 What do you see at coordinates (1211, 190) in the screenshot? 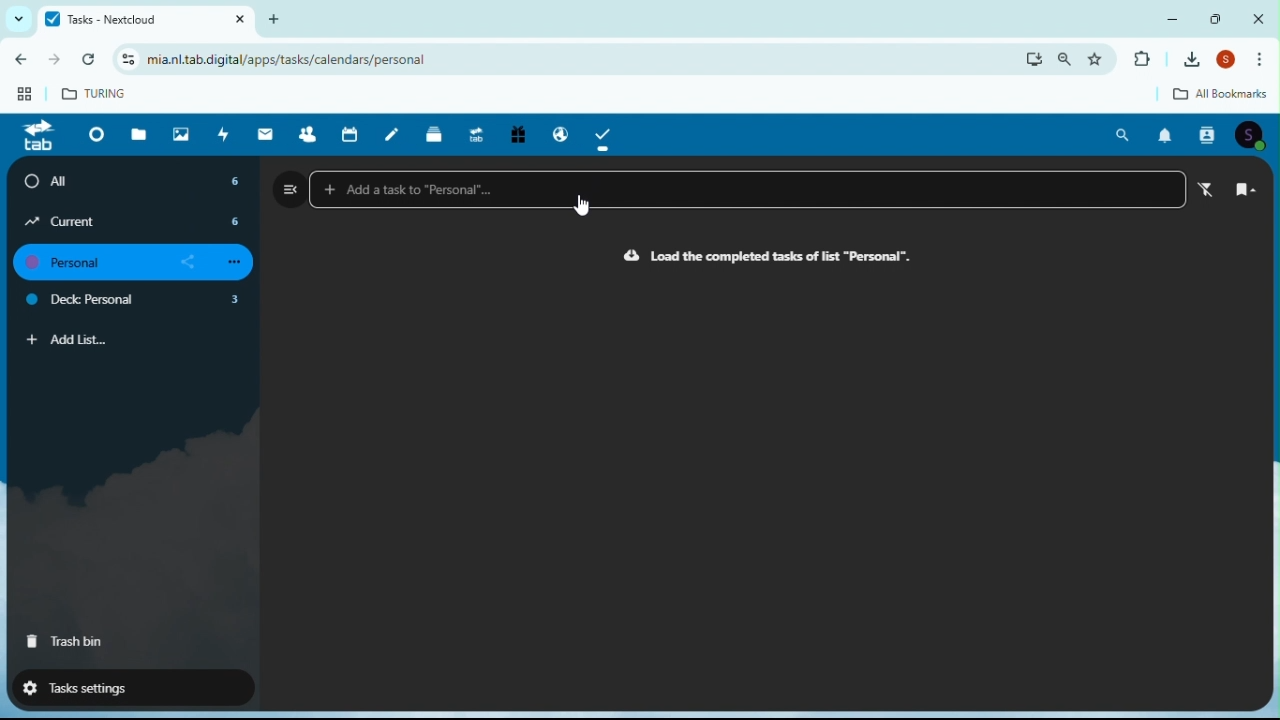
I see `Active filter` at bounding box center [1211, 190].